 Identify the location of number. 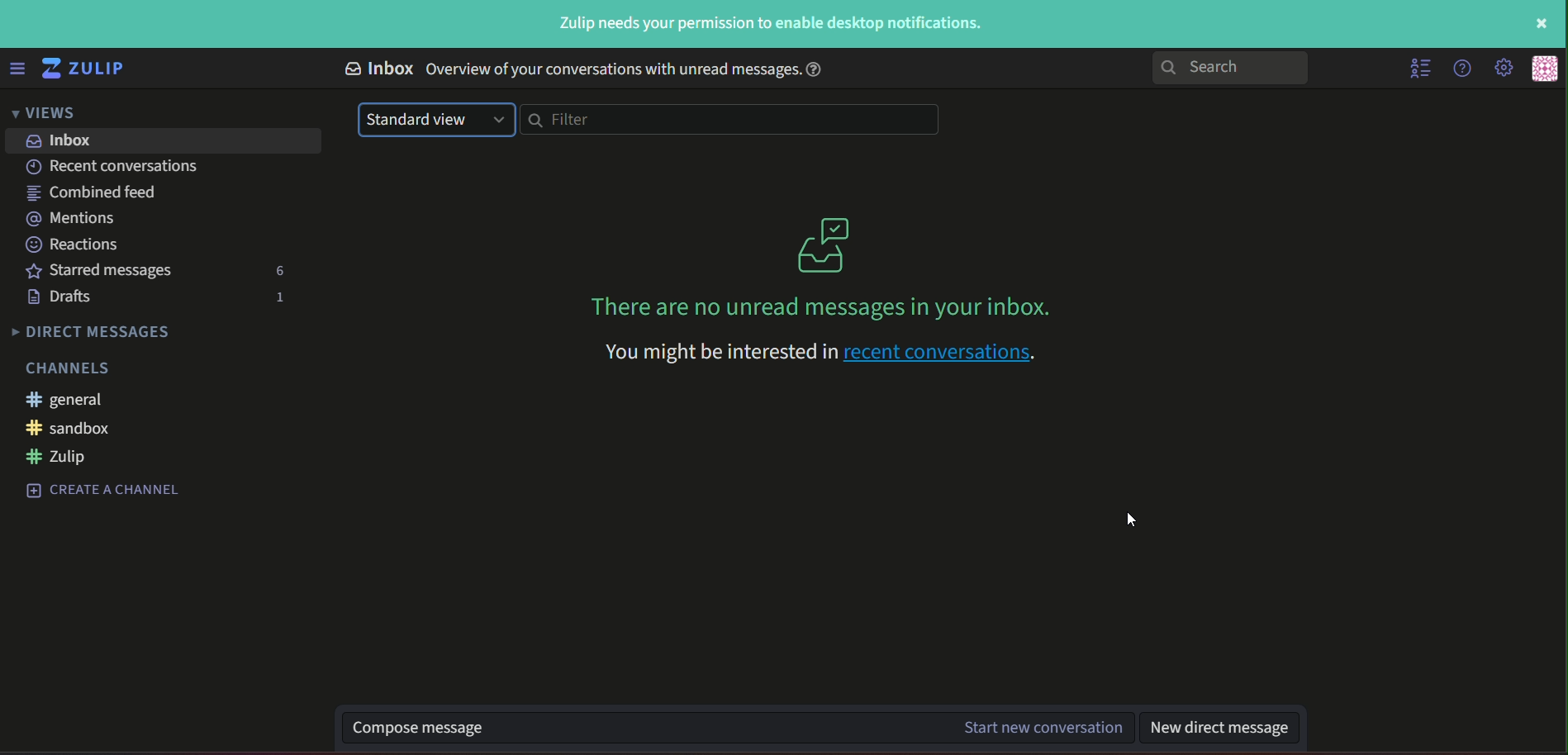
(281, 297).